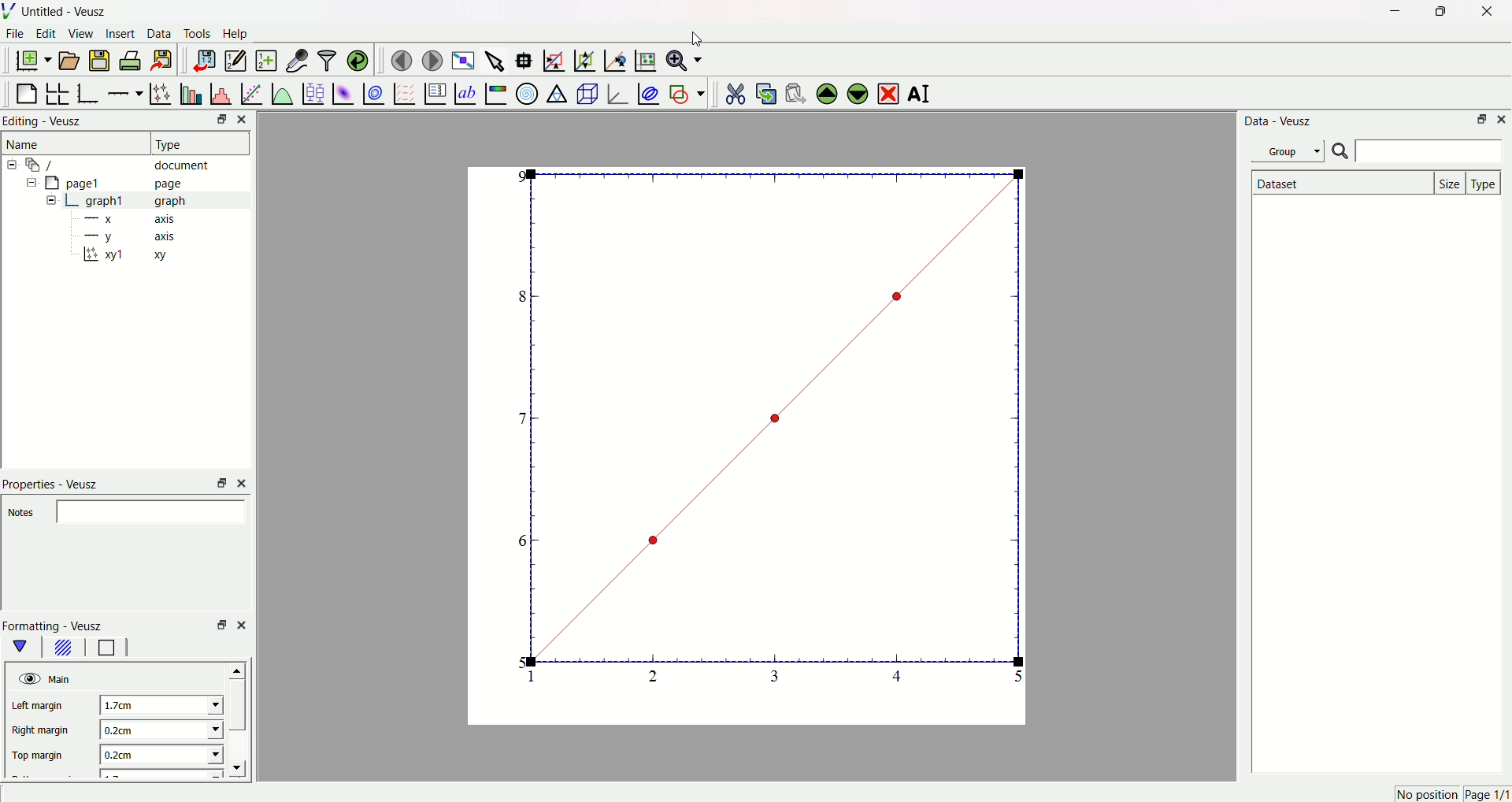  I want to click on plot box plots, so click(313, 91).